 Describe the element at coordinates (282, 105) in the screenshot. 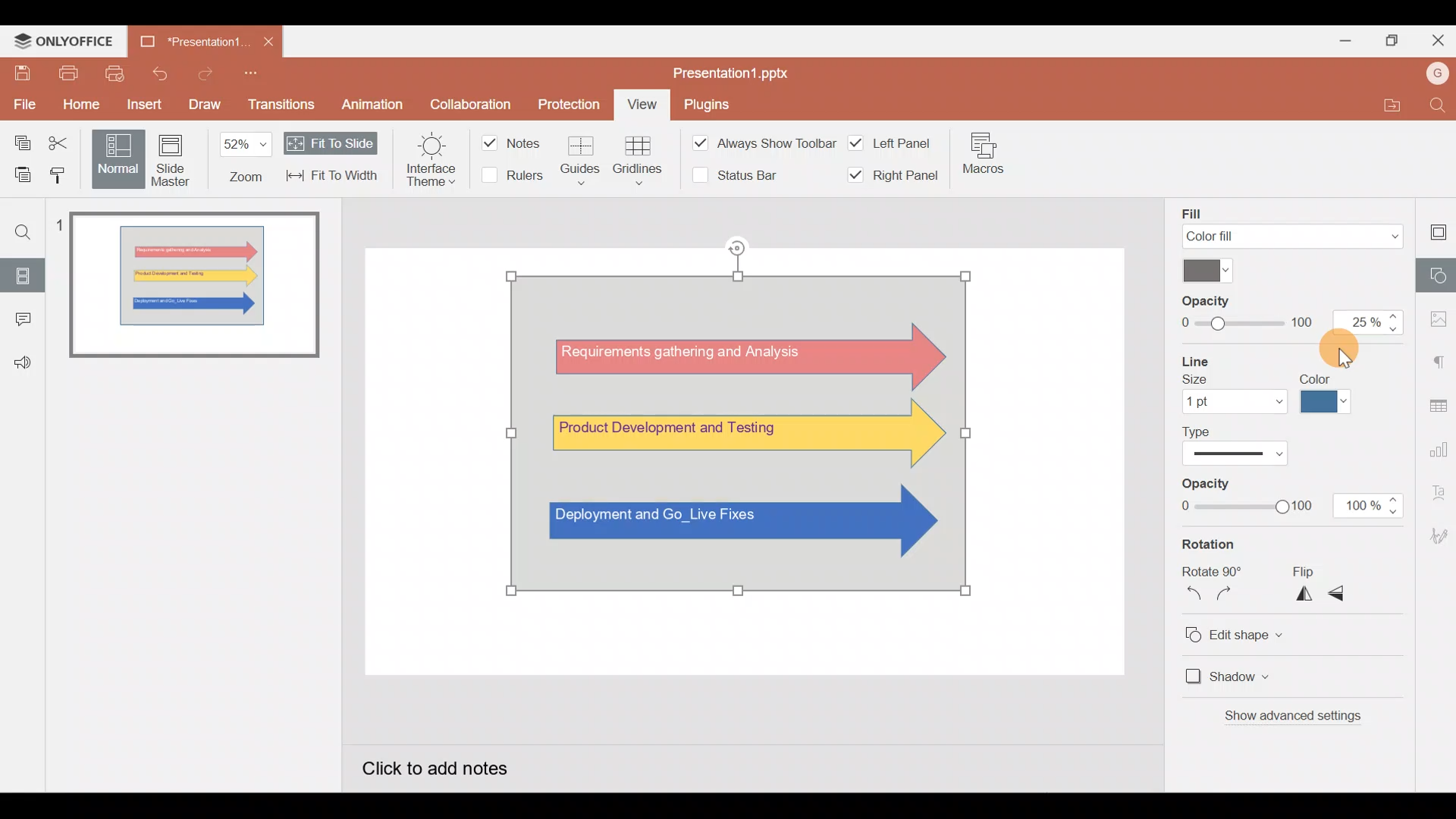

I see `Transitions` at that location.